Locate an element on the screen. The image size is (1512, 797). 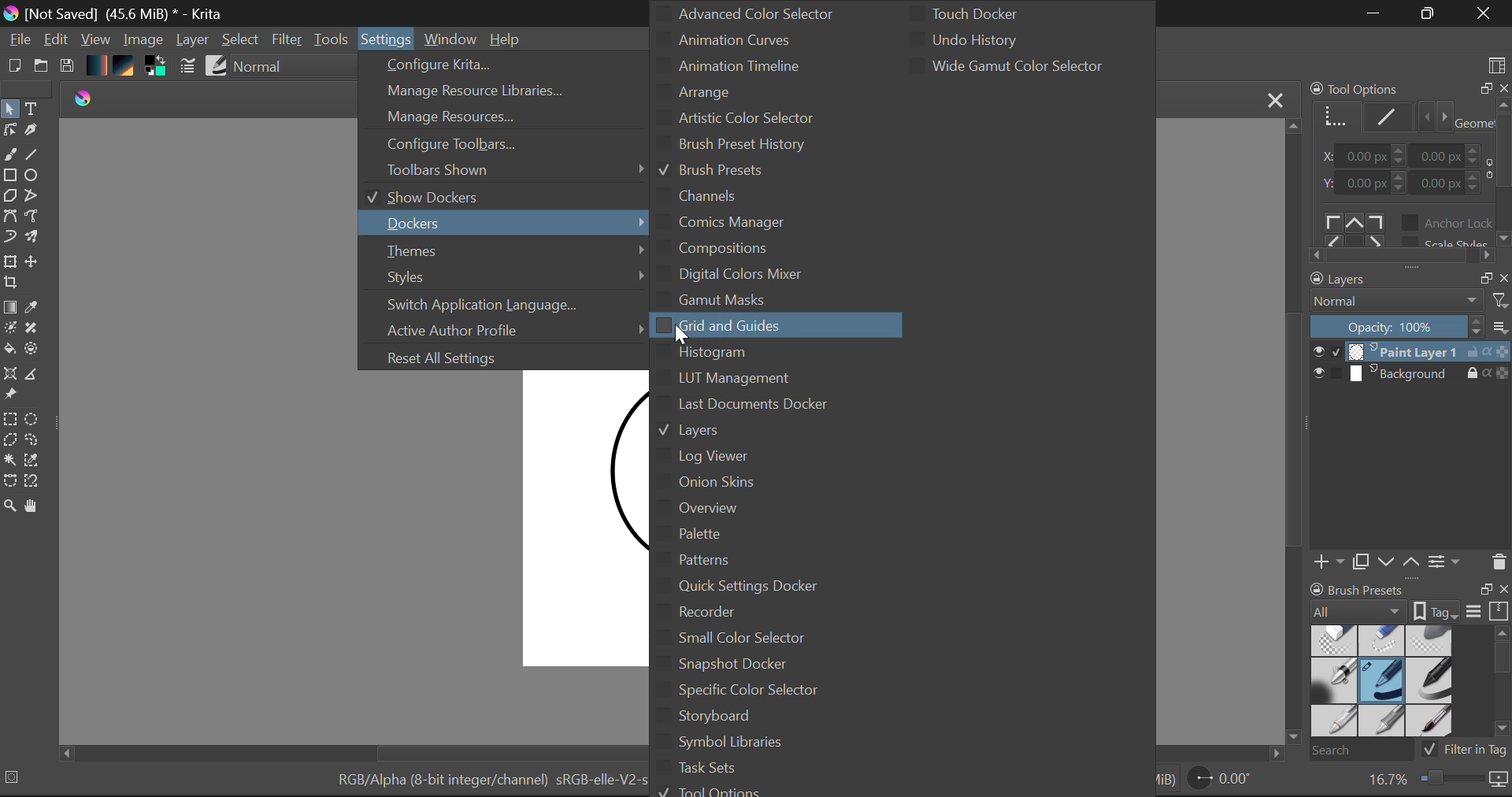
Similar Color Selector is located at coordinates (35, 462).